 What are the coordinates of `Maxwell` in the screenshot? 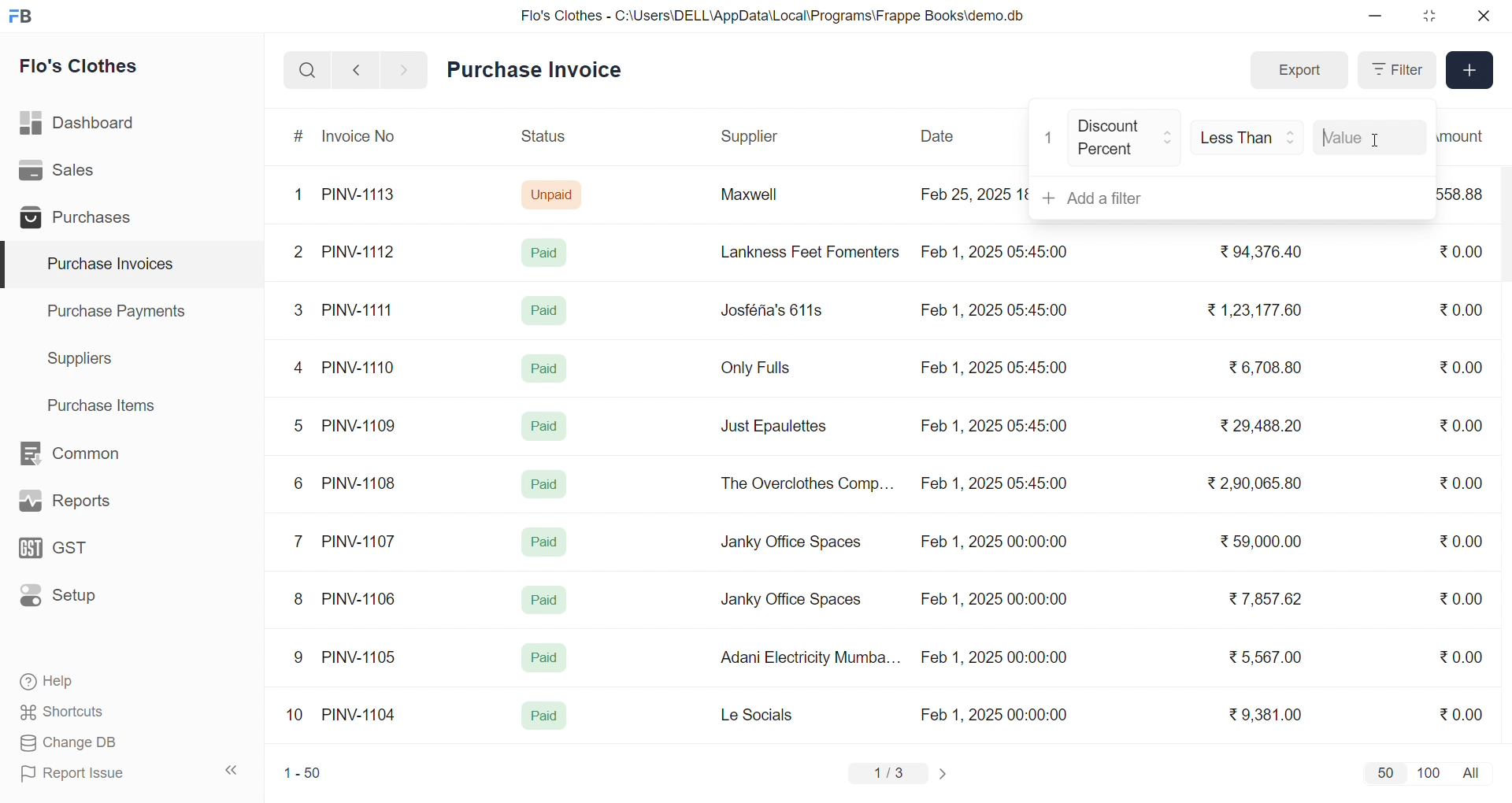 It's located at (767, 200).